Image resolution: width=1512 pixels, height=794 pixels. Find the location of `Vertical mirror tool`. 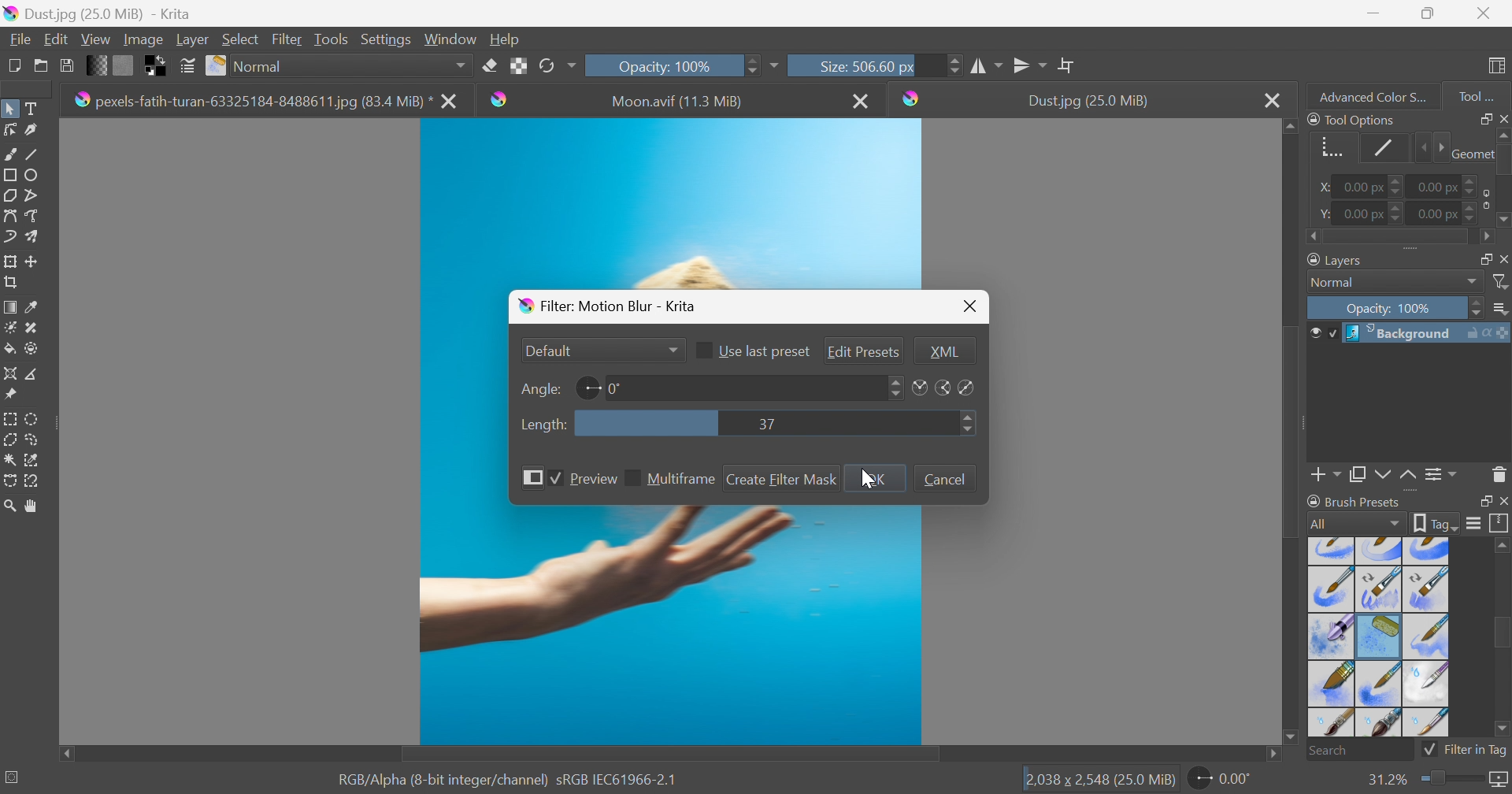

Vertical mirror tool is located at coordinates (988, 64).